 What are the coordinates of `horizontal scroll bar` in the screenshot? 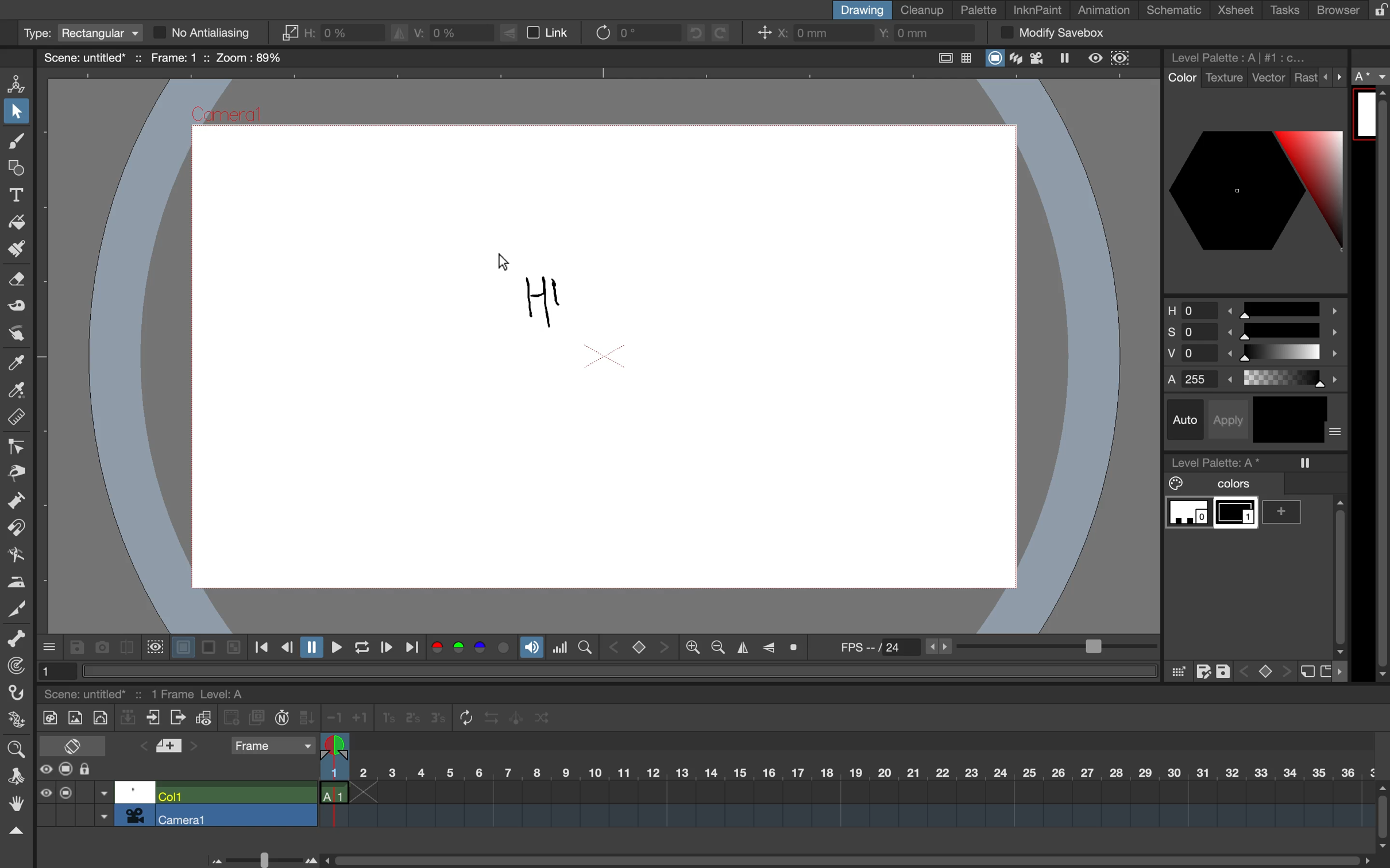 It's located at (842, 855).